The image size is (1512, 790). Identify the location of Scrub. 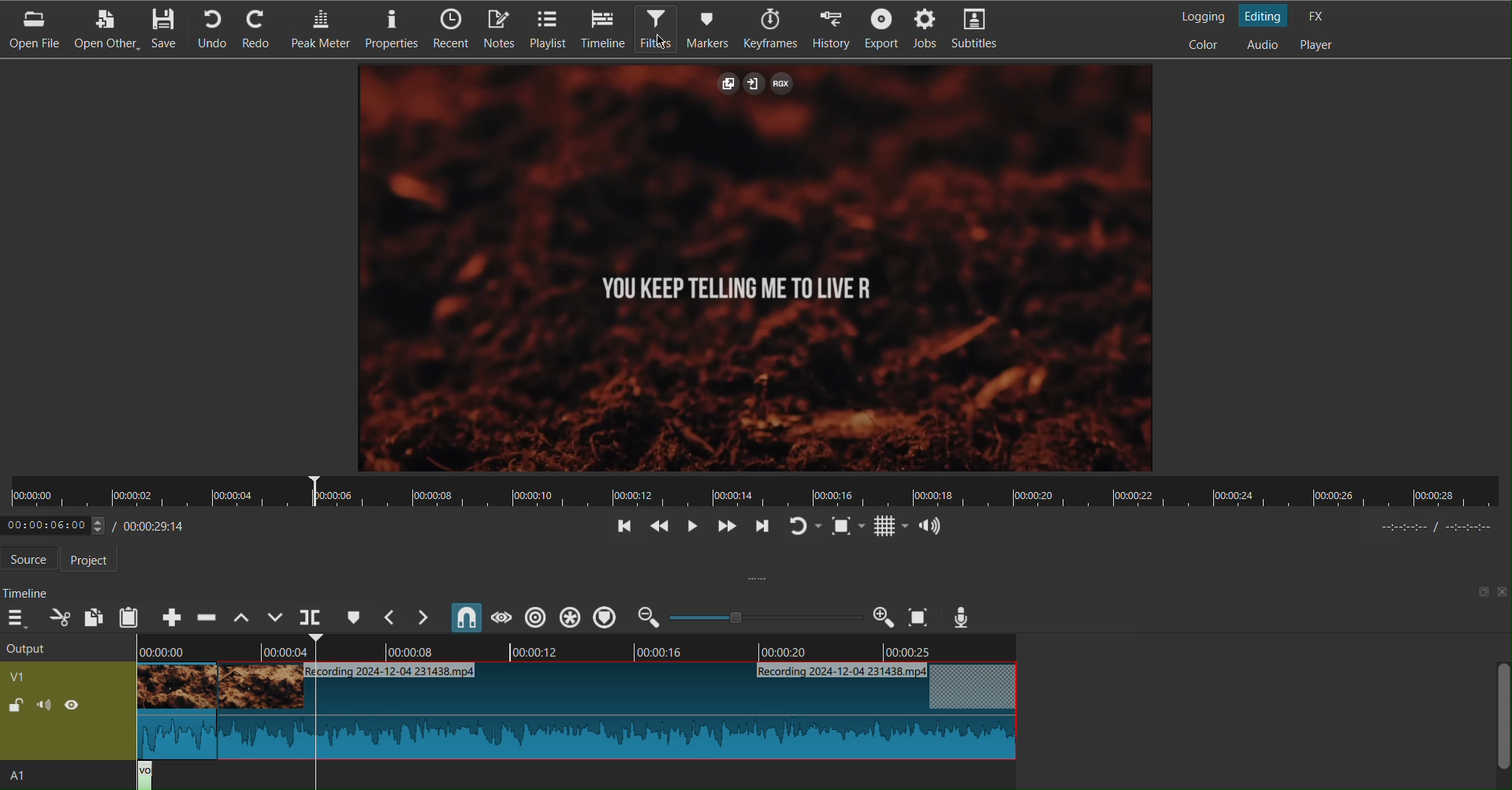
(500, 617).